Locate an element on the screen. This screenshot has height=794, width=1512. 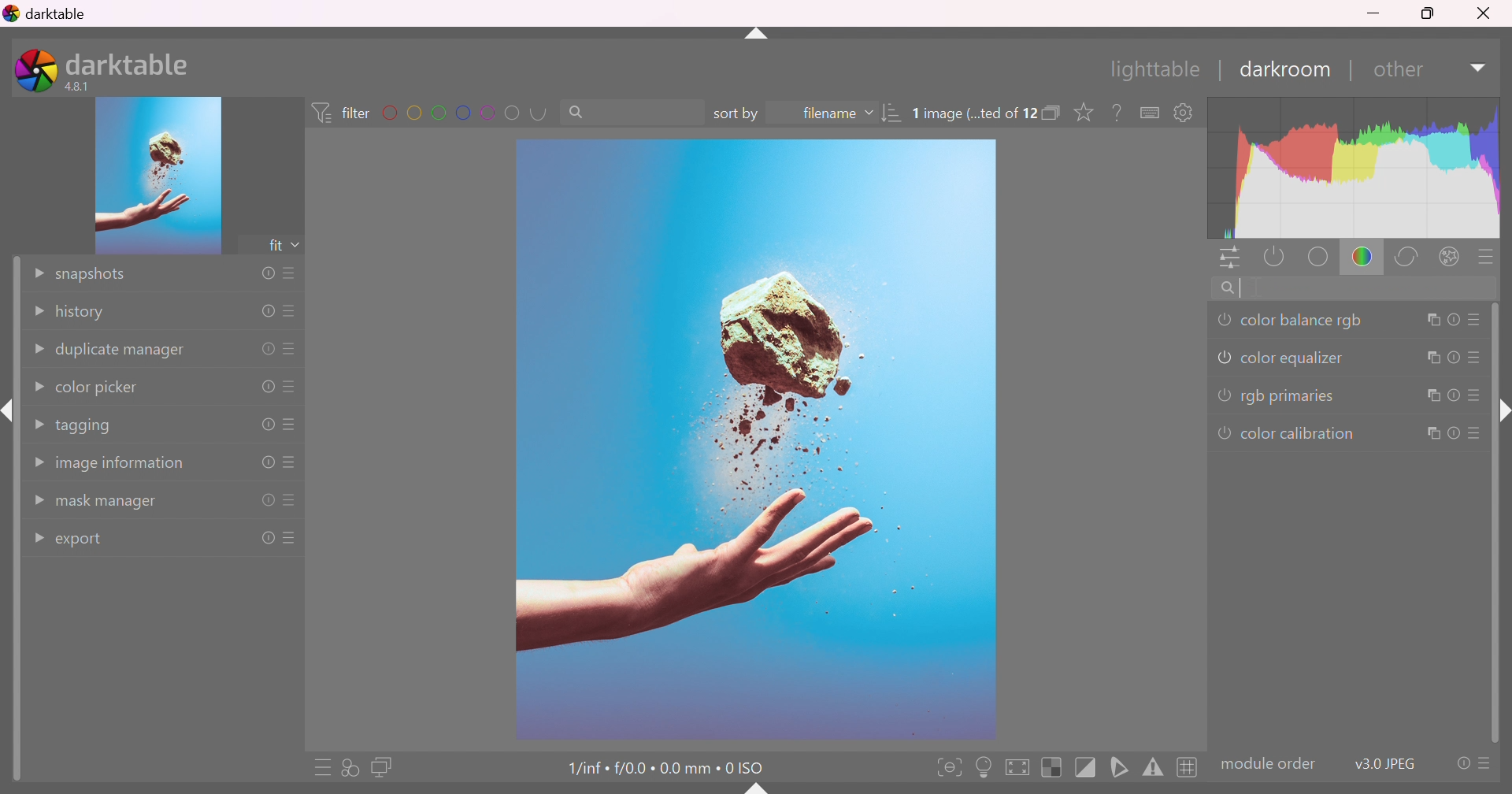
reset is located at coordinates (1454, 397).